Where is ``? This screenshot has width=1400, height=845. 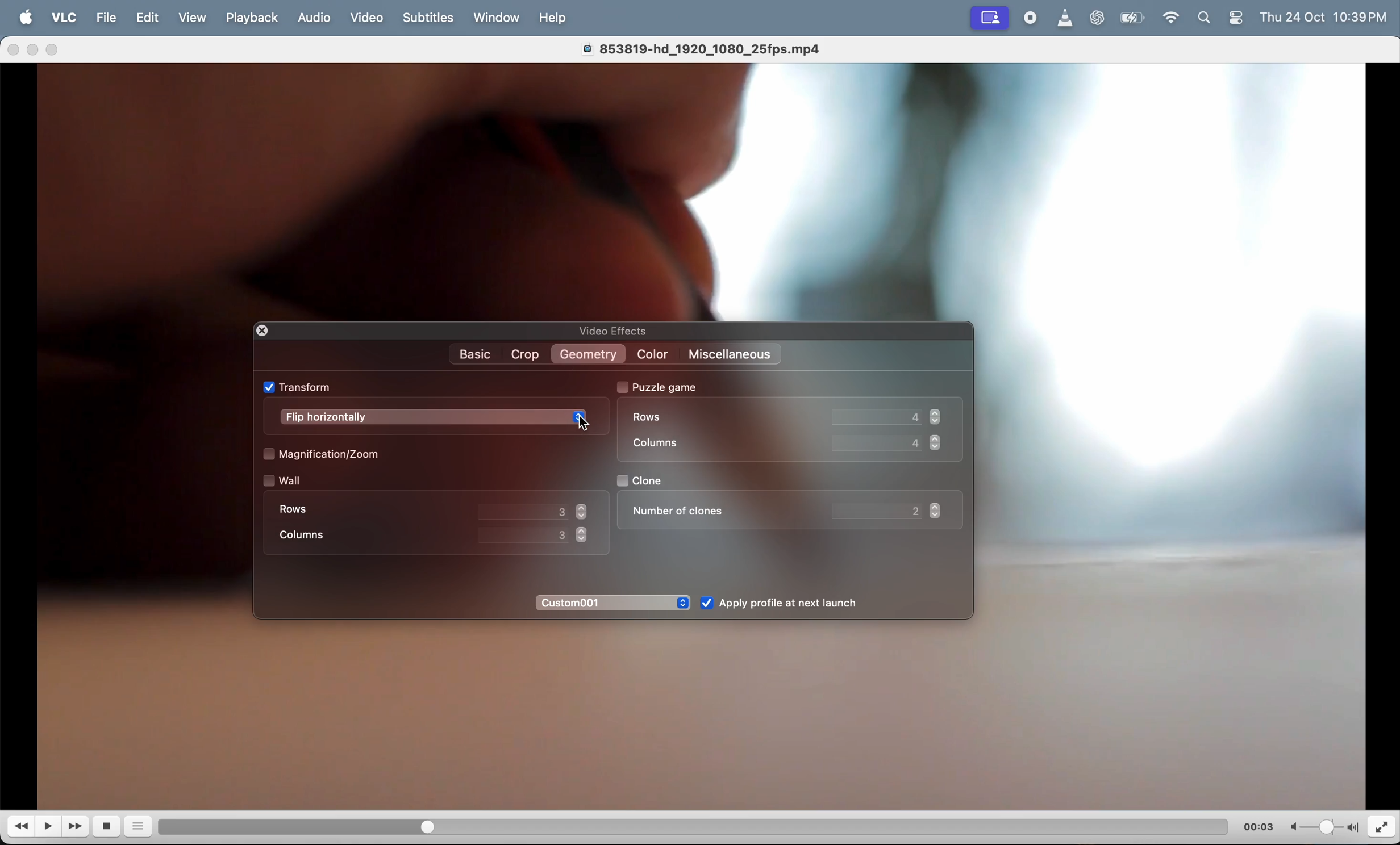  is located at coordinates (1382, 826).